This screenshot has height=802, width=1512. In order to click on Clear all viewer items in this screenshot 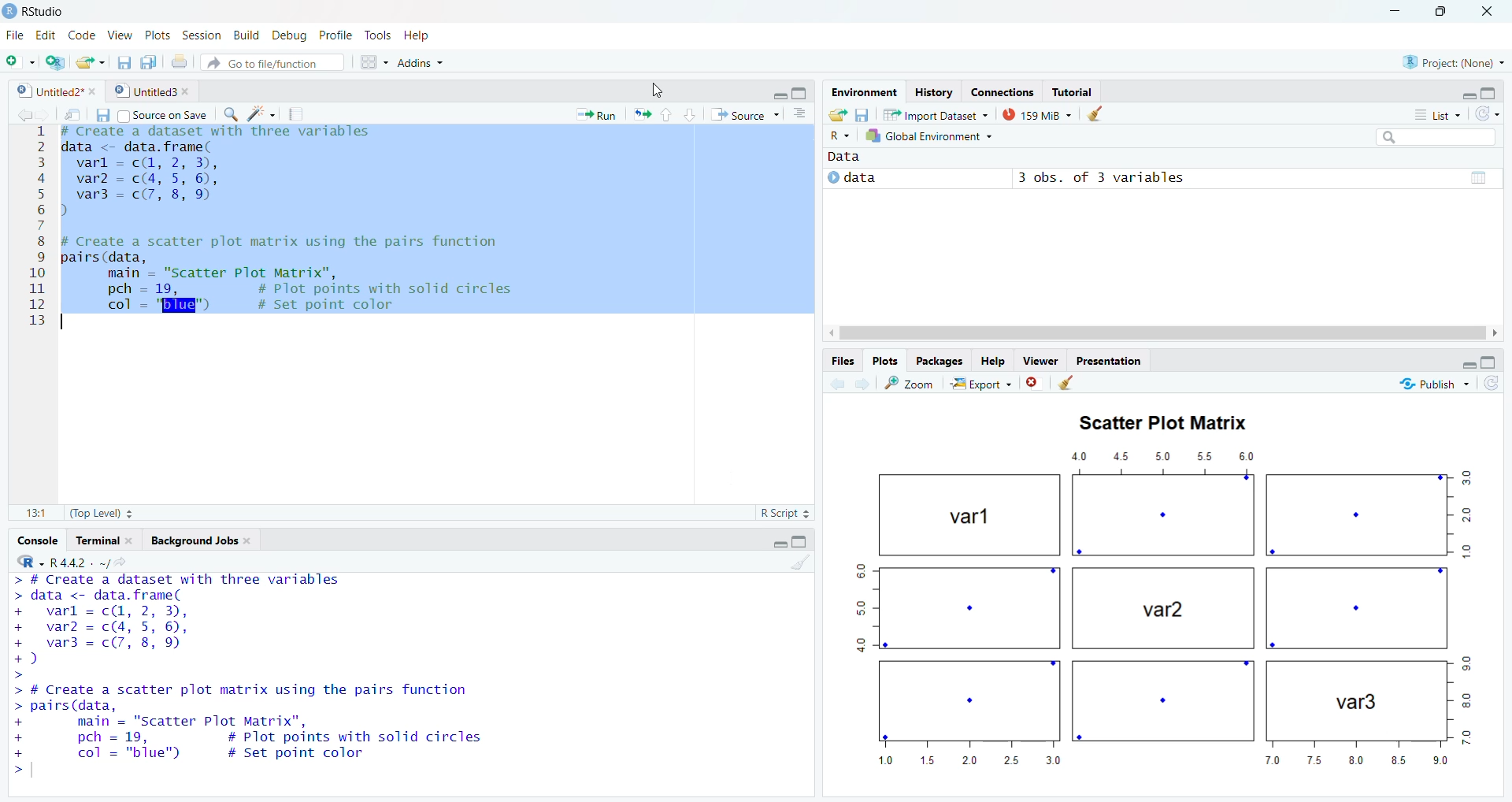, I will do `click(1075, 385)`.